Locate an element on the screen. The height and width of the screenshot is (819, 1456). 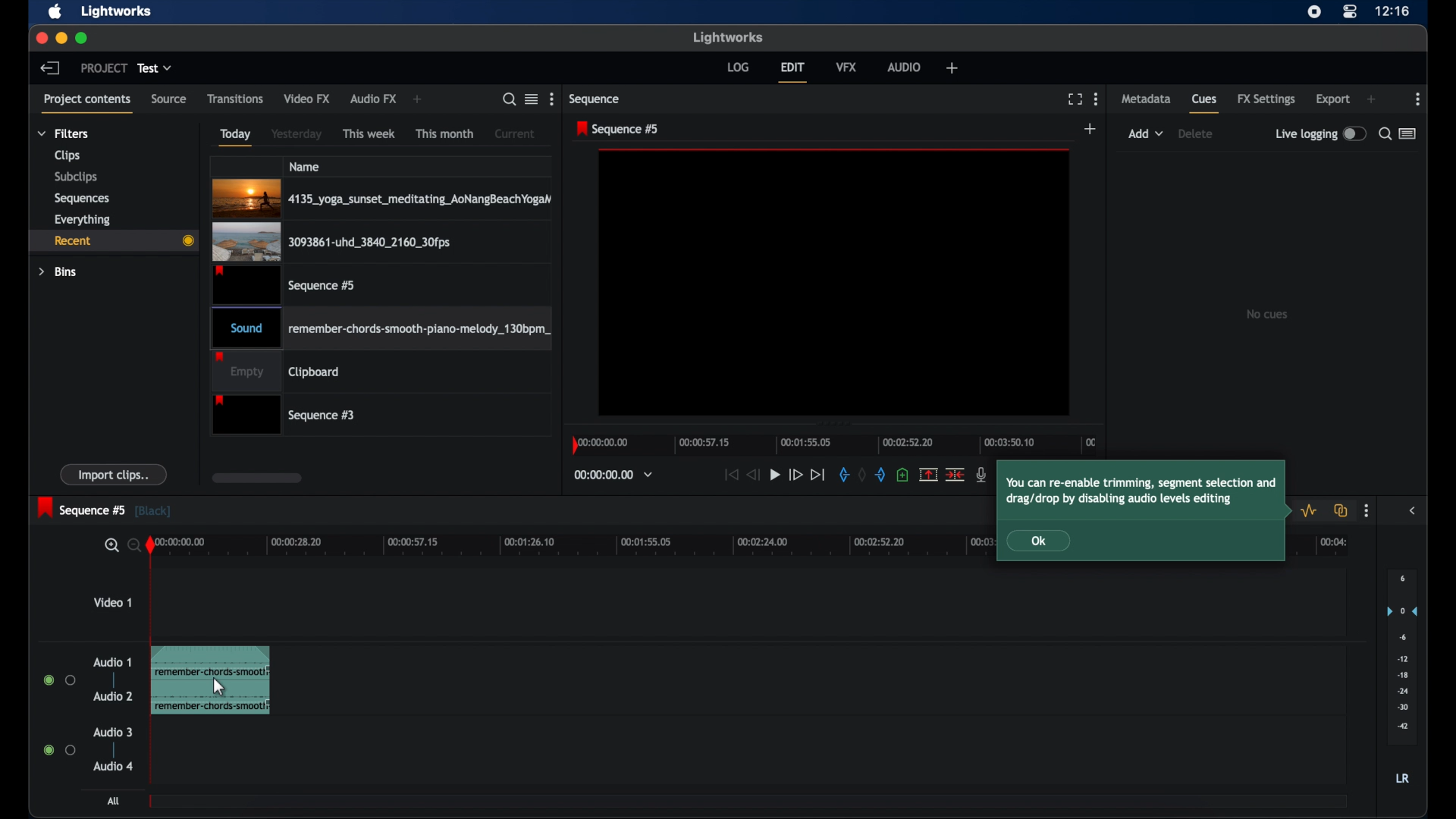
add is located at coordinates (419, 99).